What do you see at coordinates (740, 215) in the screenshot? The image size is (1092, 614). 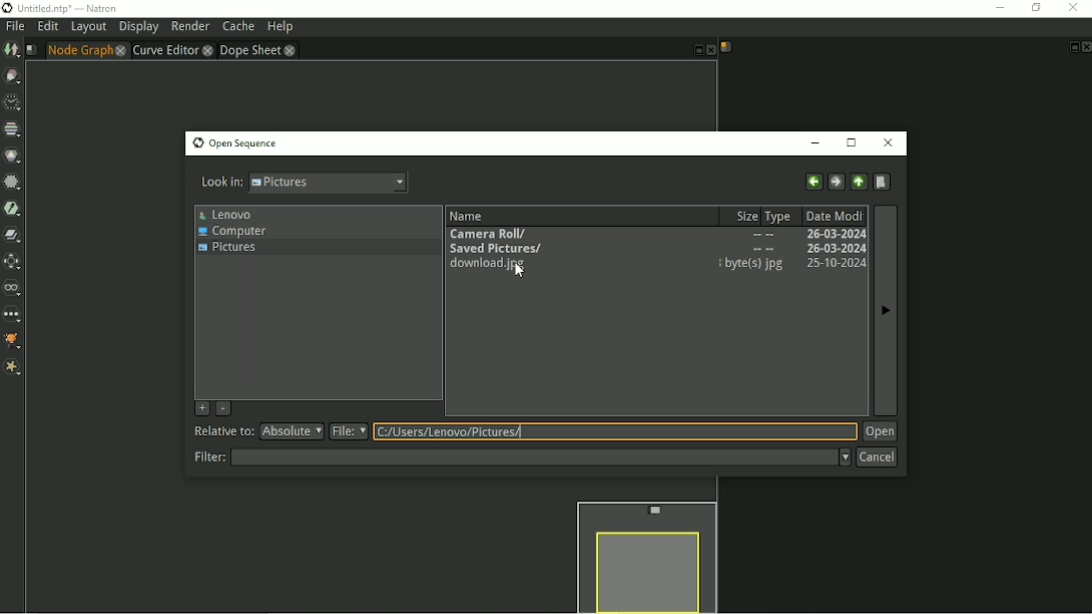 I see `Size` at bounding box center [740, 215].